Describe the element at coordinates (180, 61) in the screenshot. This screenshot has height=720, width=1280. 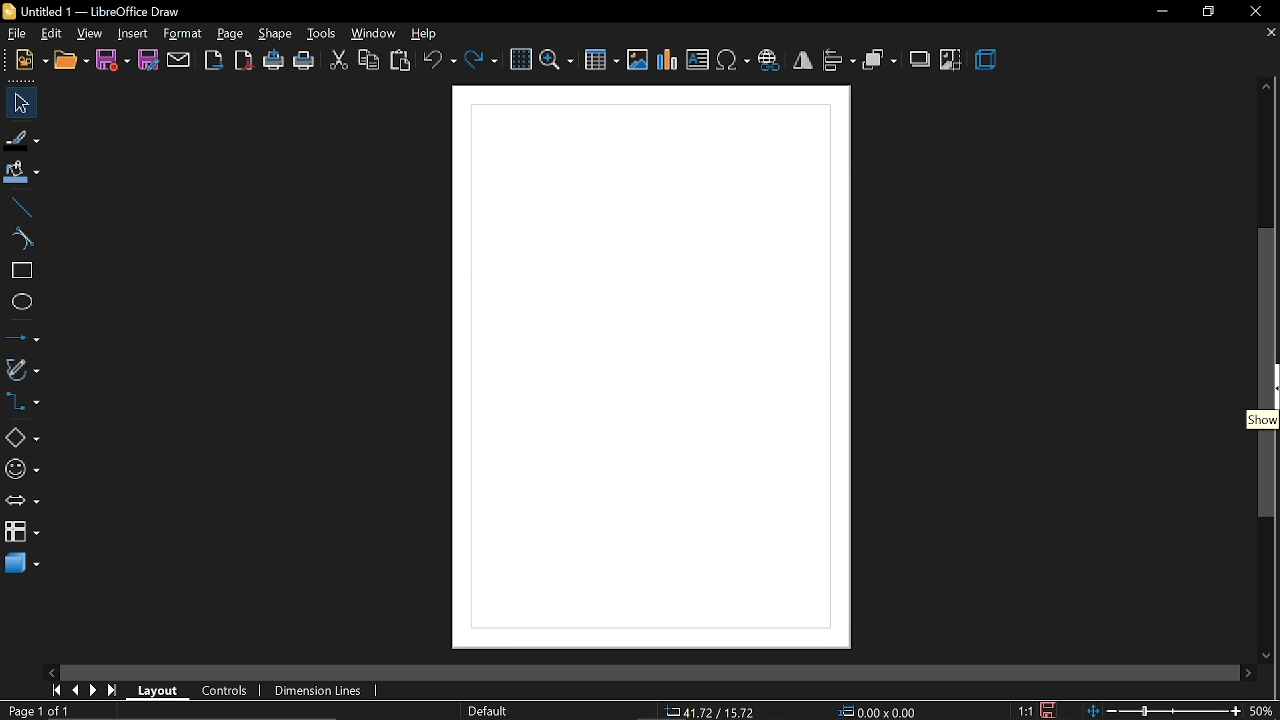
I see `attach` at that location.